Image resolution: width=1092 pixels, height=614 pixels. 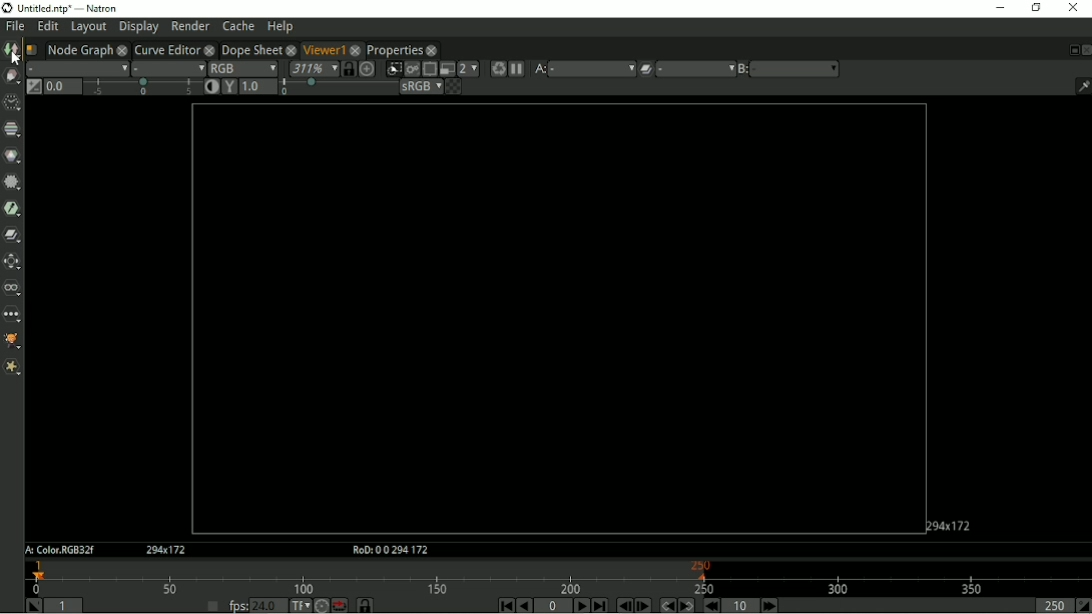 I want to click on close, so click(x=122, y=49).